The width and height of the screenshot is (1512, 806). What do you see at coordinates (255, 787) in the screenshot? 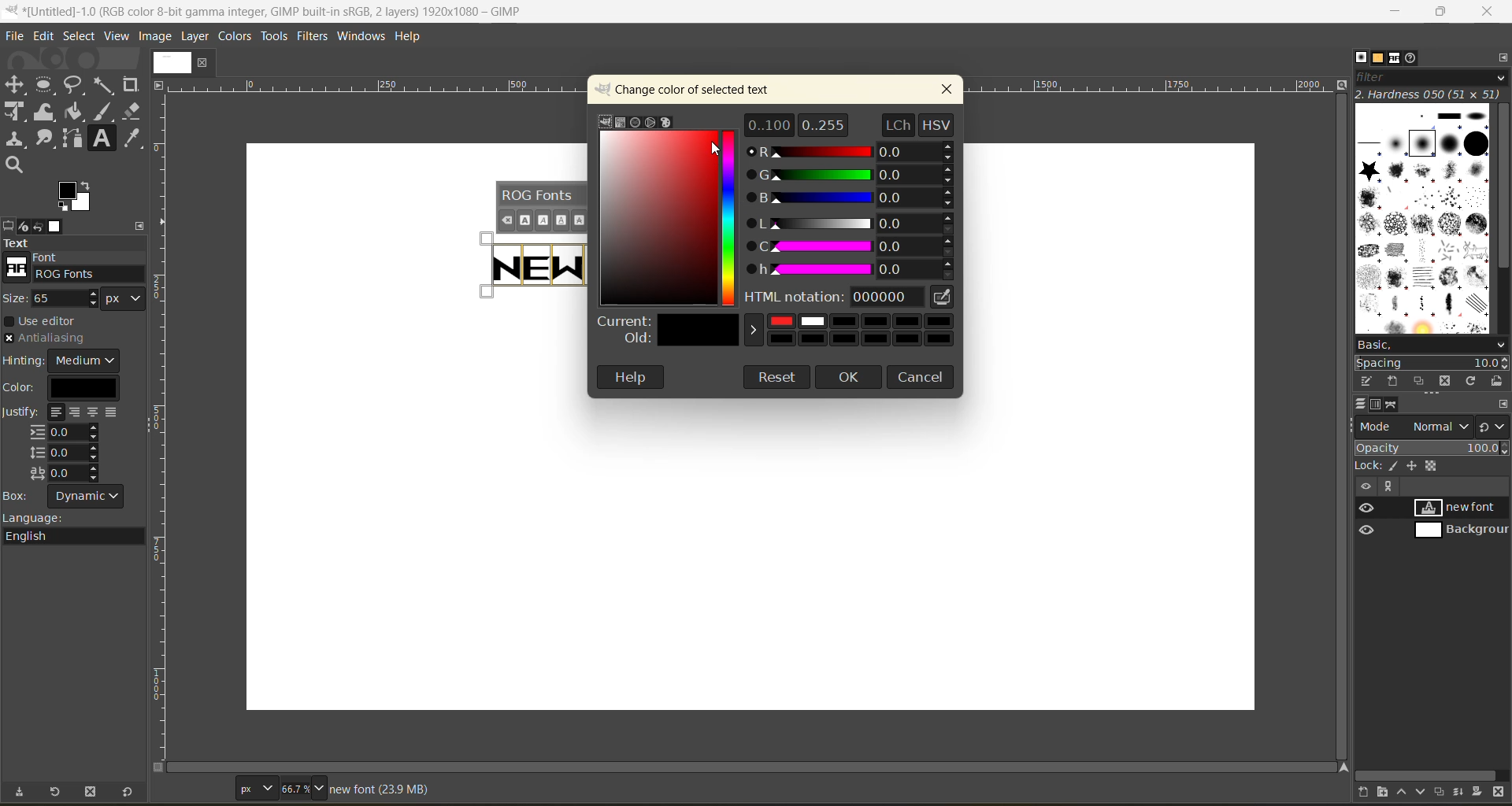
I see `type` at bounding box center [255, 787].